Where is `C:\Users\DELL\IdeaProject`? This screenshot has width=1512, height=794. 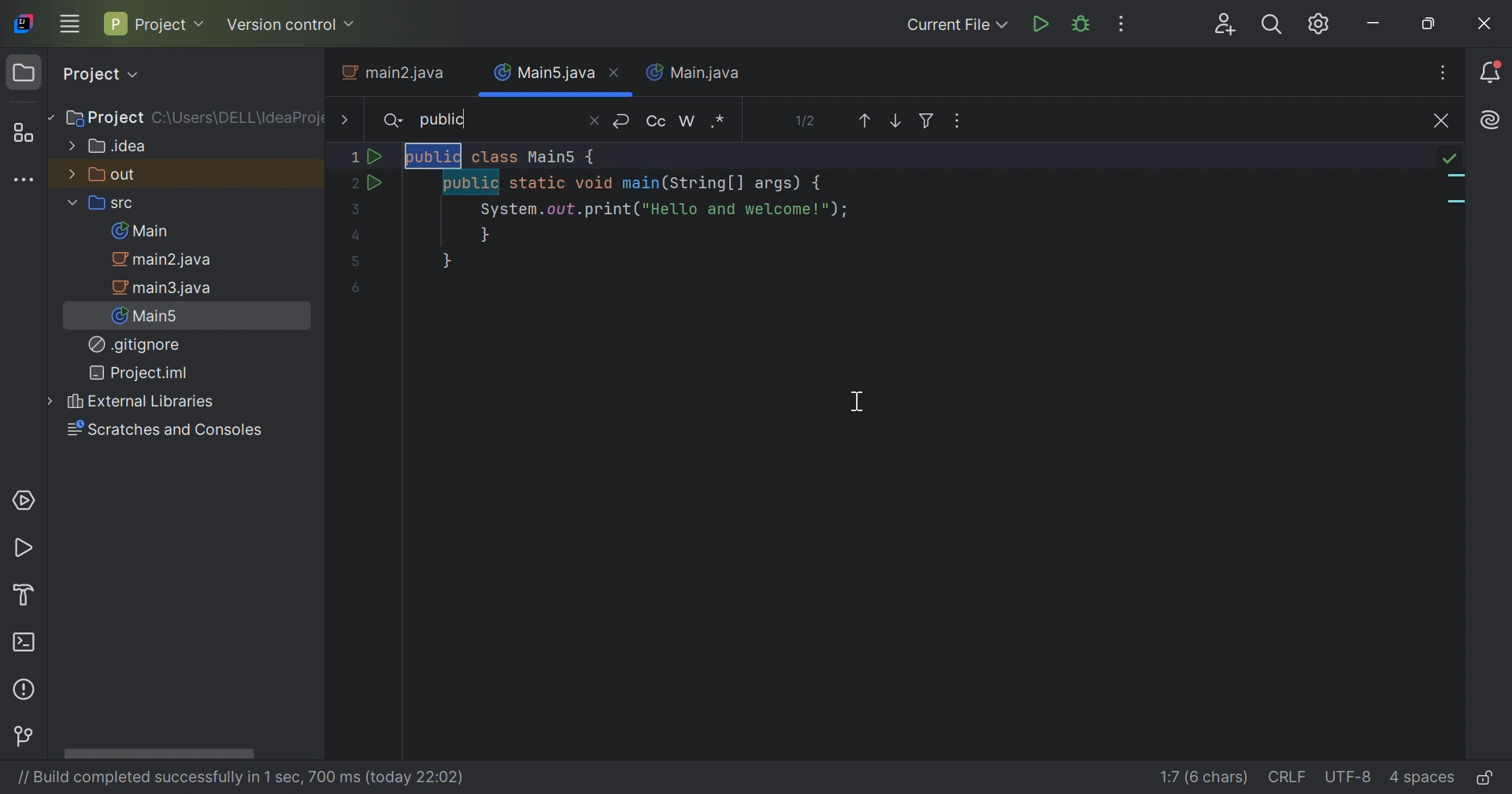
C:\Users\DELL\IdeaProject is located at coordinates (239, 119).